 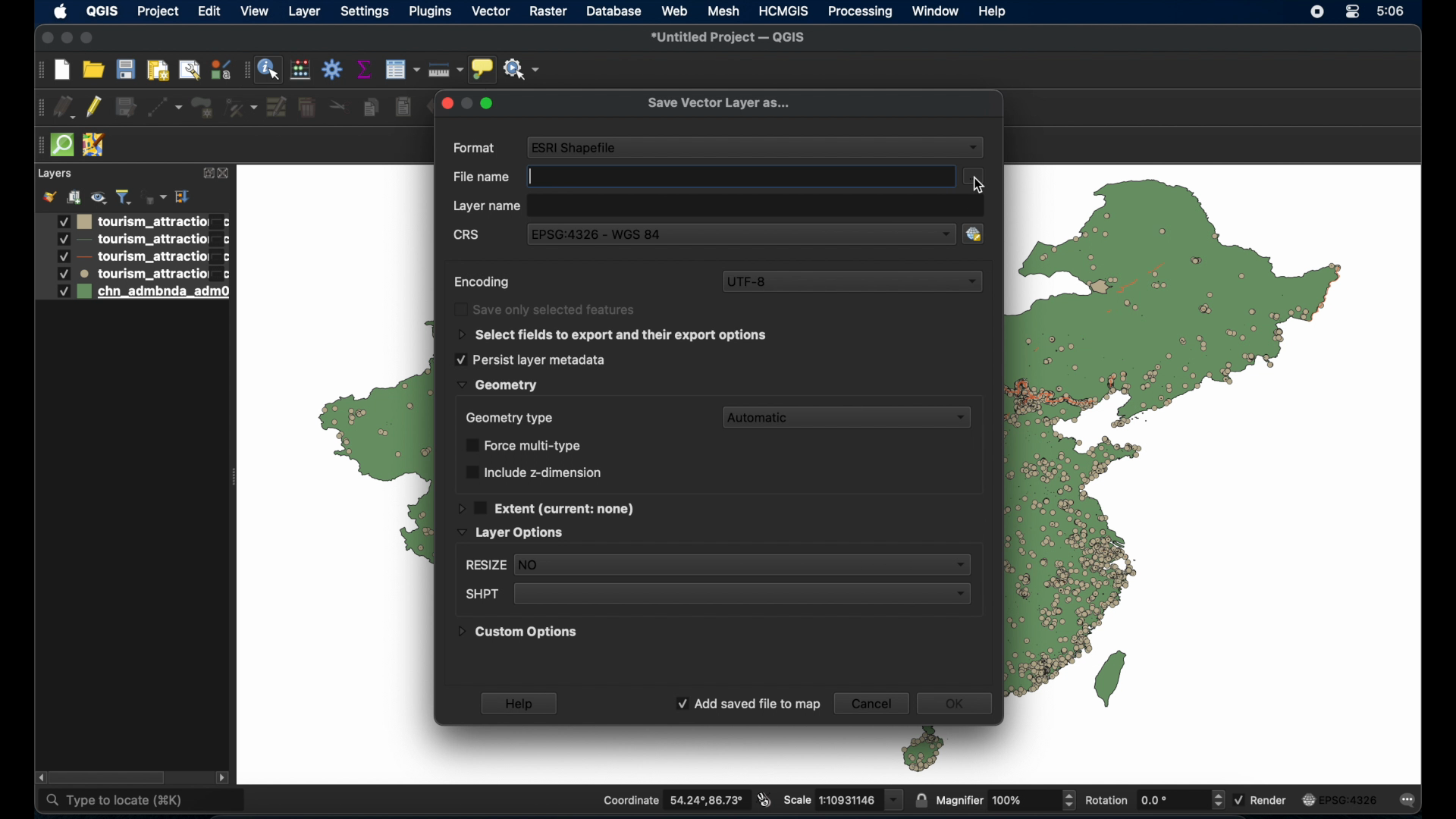 What do you see at coordinates (497, 385) in the screenshot?
I see `geometry ` at bounding box center [497, 385].